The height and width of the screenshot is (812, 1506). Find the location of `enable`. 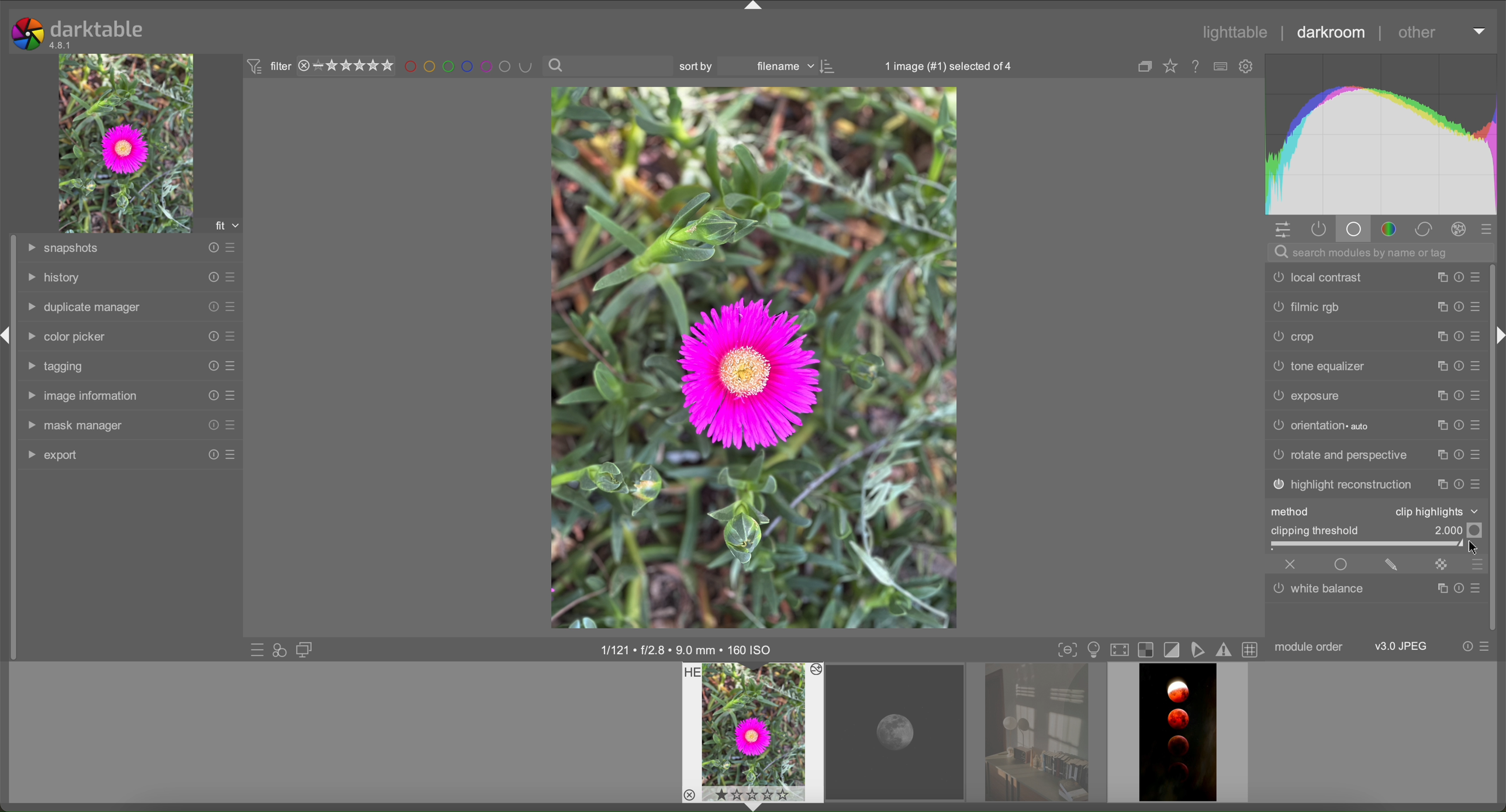

enable is located at coordinates (1342, 564).